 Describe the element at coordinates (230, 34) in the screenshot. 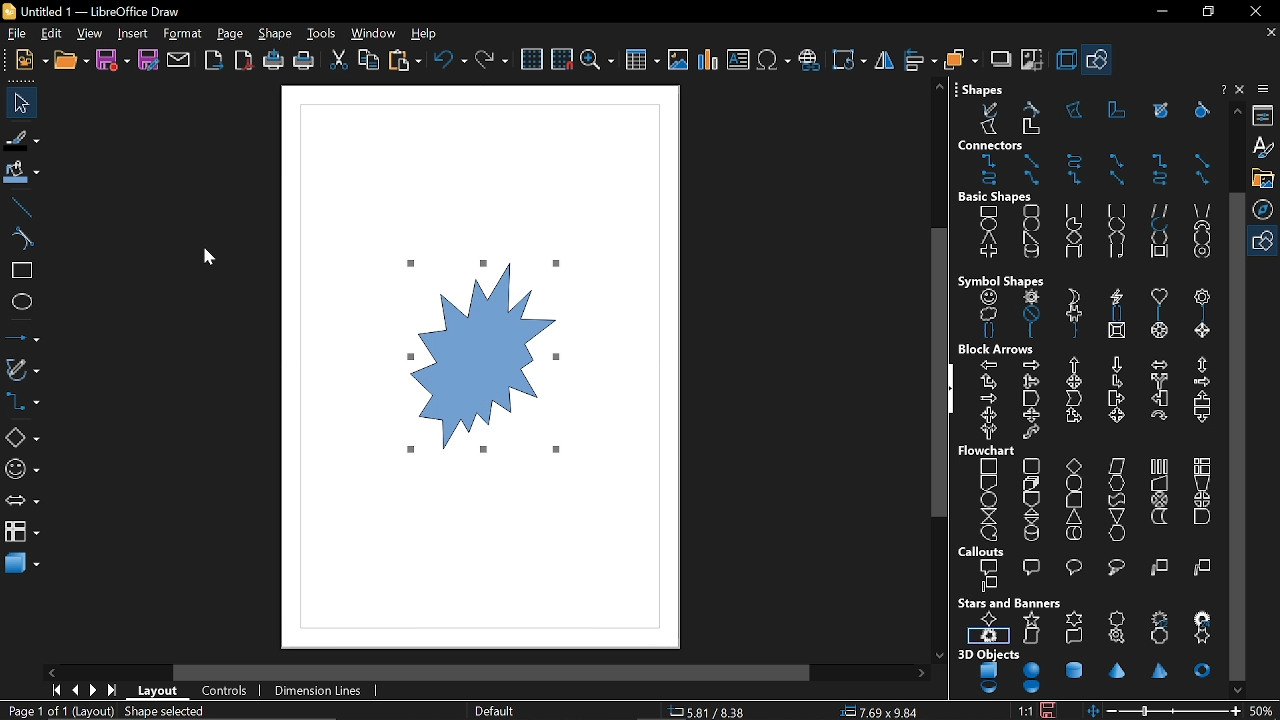

I see `page` at that location.